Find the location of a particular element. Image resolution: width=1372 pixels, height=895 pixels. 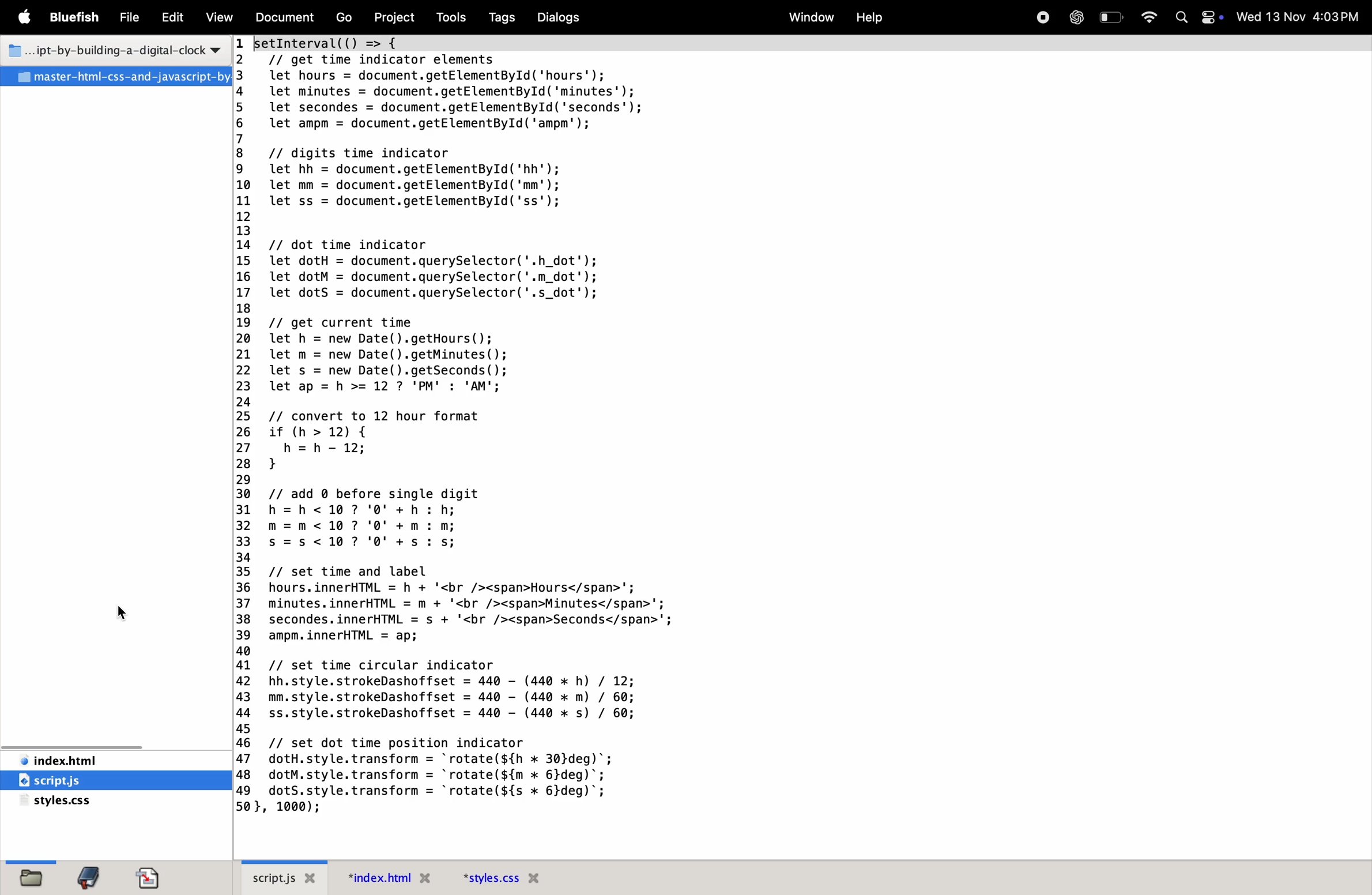

index.html is located at coordinates (392, 881).